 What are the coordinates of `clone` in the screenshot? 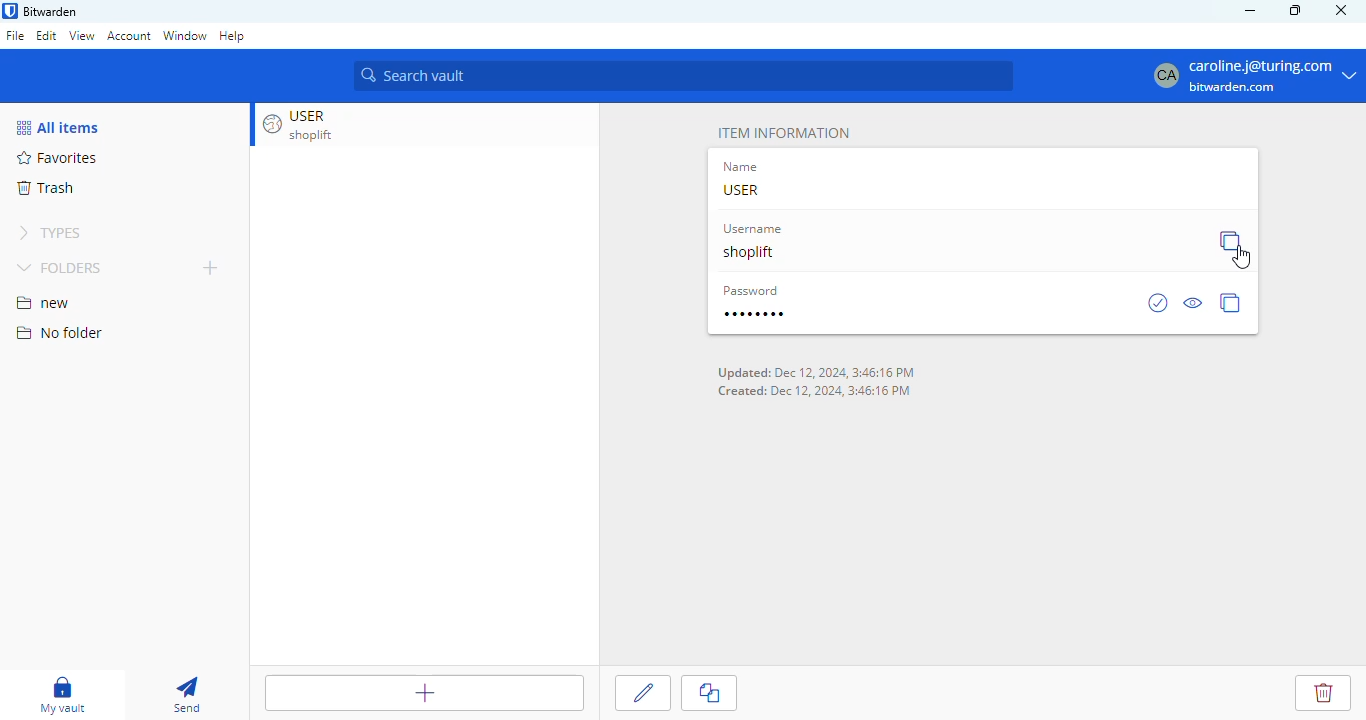 It's located at (715, 694).